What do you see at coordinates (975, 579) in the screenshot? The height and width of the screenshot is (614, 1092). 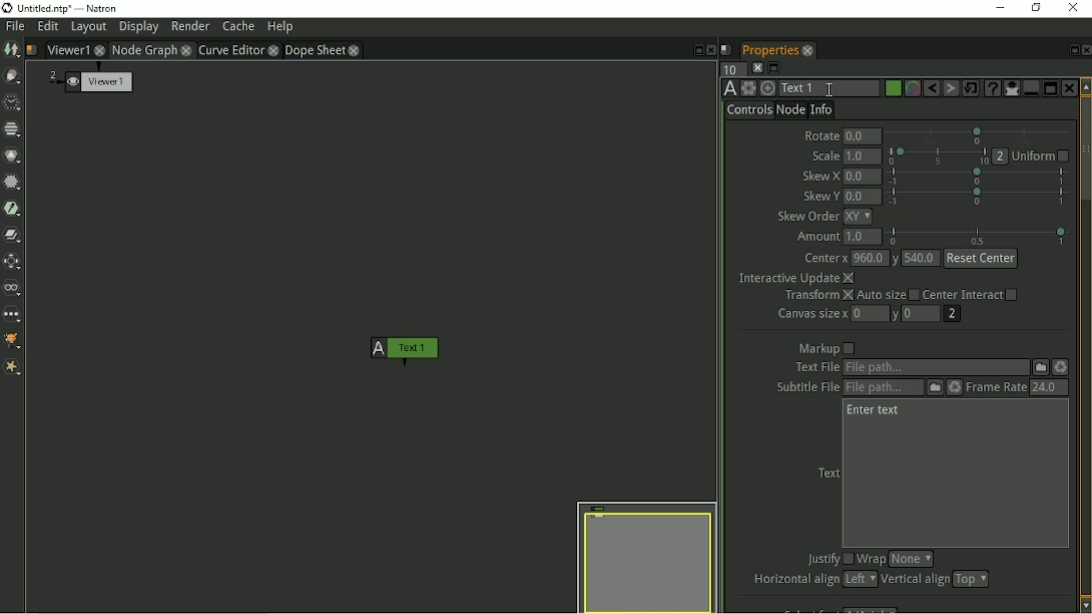 I see `top` at bounding box center [975, 579].